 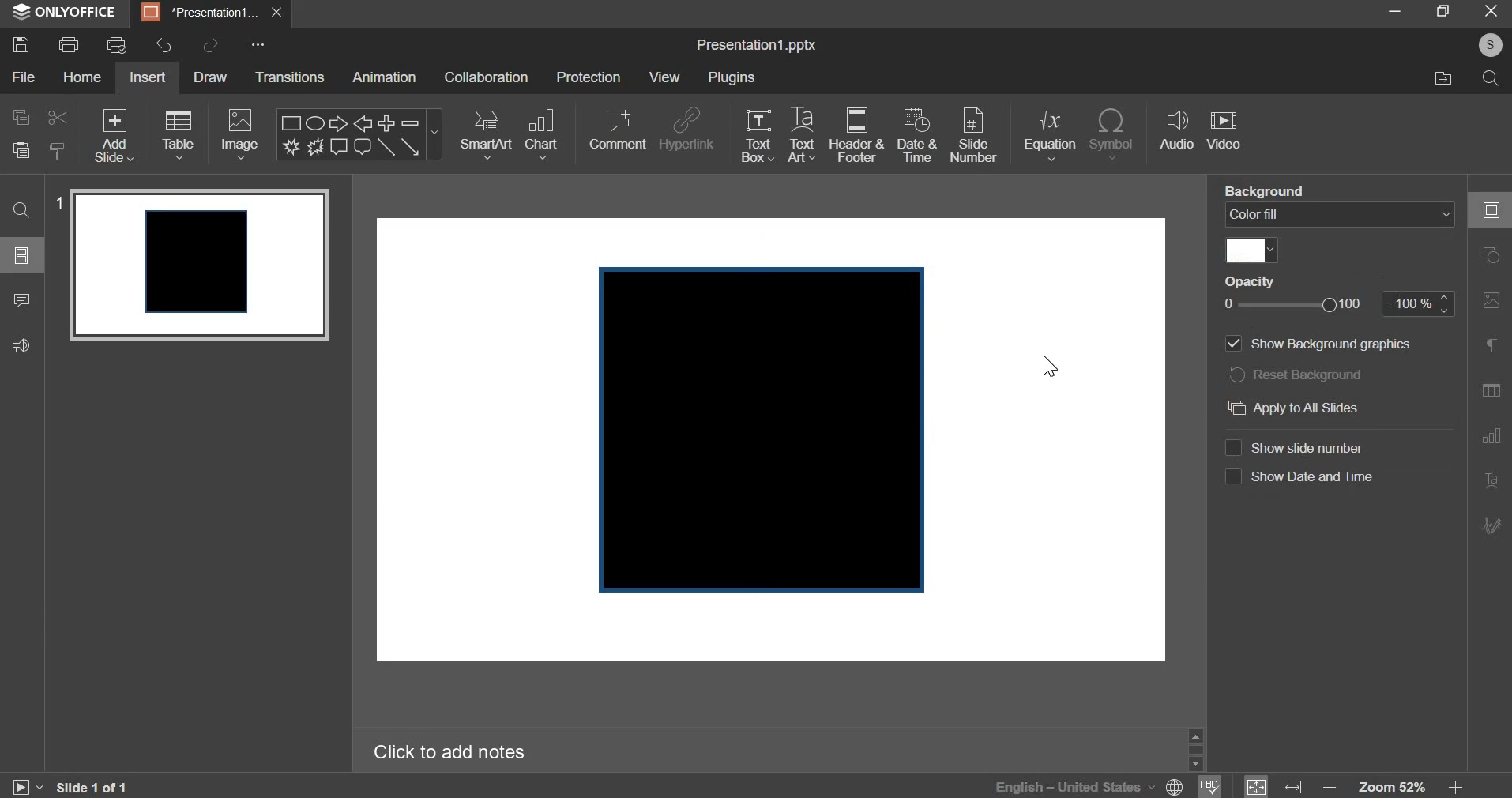 What do you see at coordinates (148, 78) in the screenshot?
I see `insert` at bounding box center [148, 78].